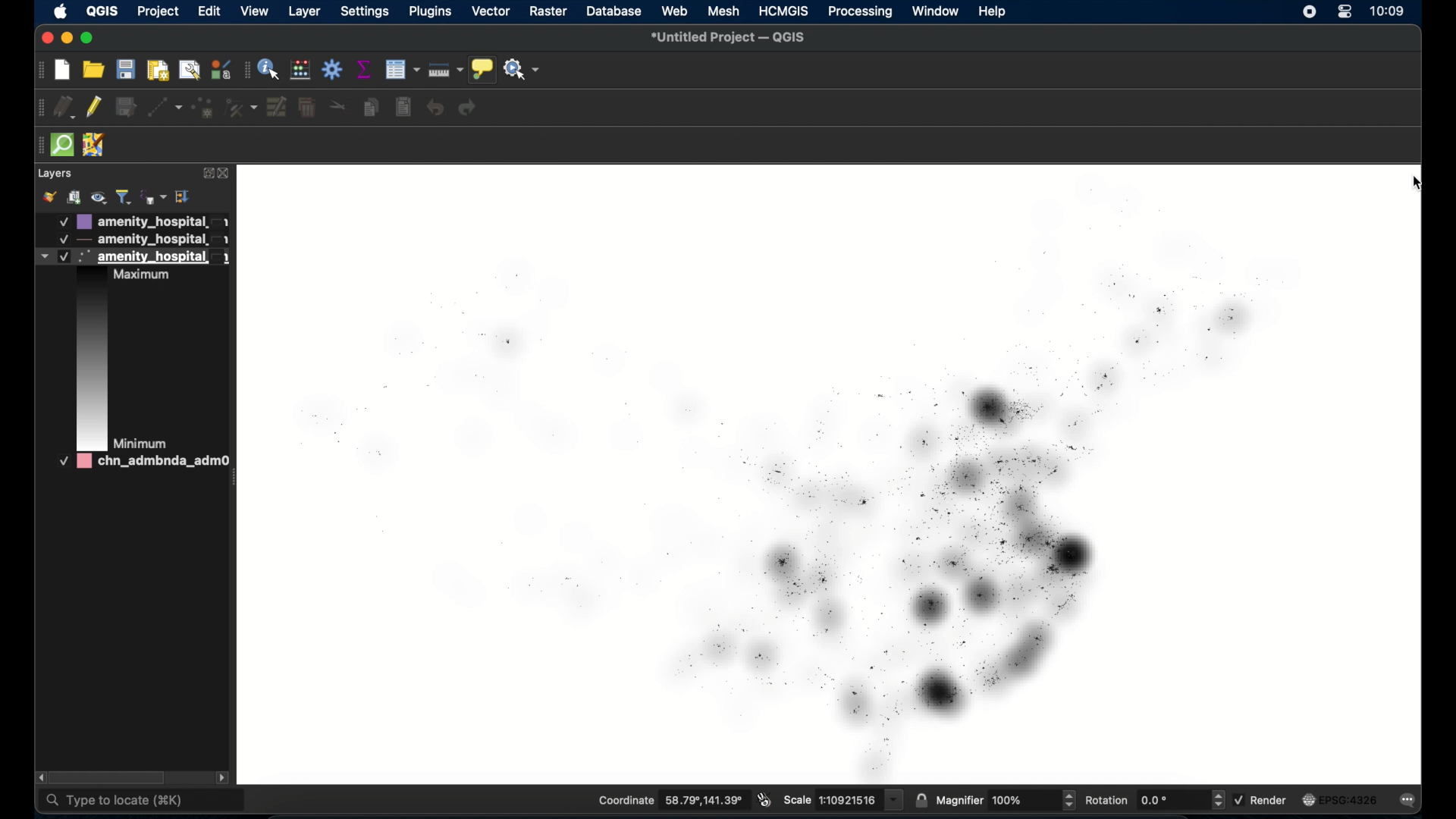  Describe the element at coordinates (482, 68) in the screenshot. I see `show map tips` at that location.